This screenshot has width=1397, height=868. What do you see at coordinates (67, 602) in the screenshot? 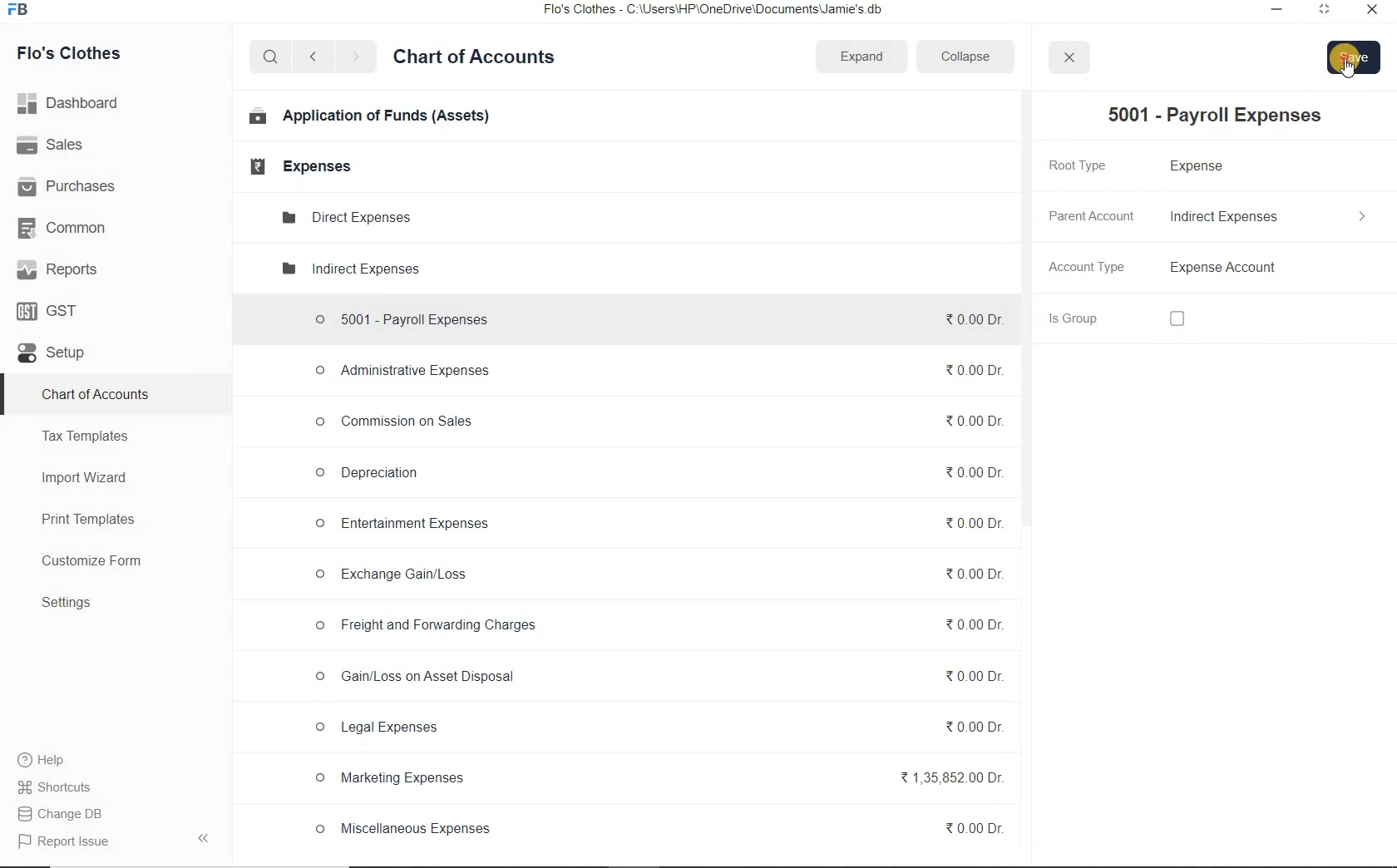
I see `Settings` at bounding box center [67, 602].